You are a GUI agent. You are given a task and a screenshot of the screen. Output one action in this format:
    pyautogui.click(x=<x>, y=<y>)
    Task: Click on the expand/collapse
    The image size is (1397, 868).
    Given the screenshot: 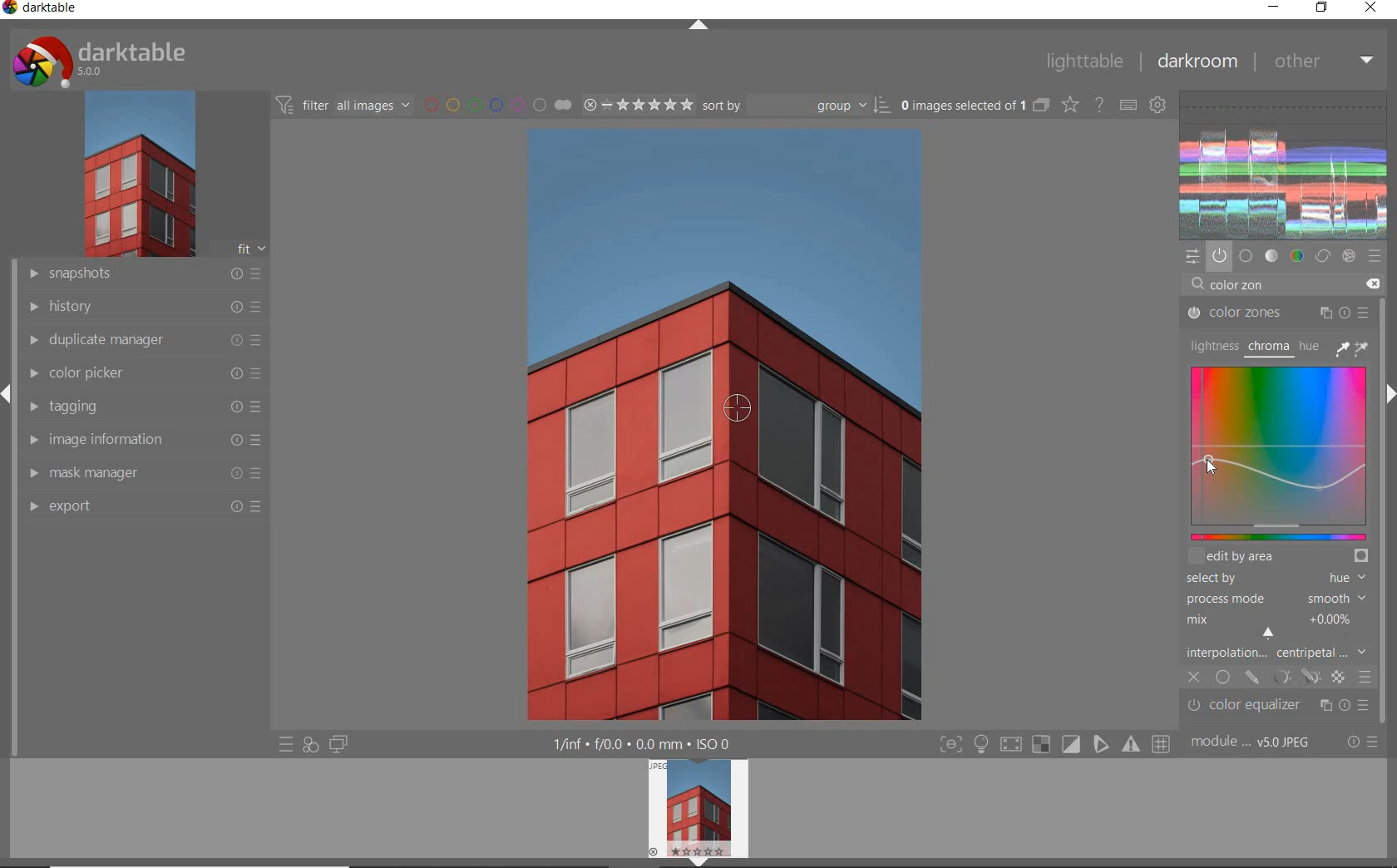 What is the action you would take?
    pyautogui.click(x=1389, y=393)
    